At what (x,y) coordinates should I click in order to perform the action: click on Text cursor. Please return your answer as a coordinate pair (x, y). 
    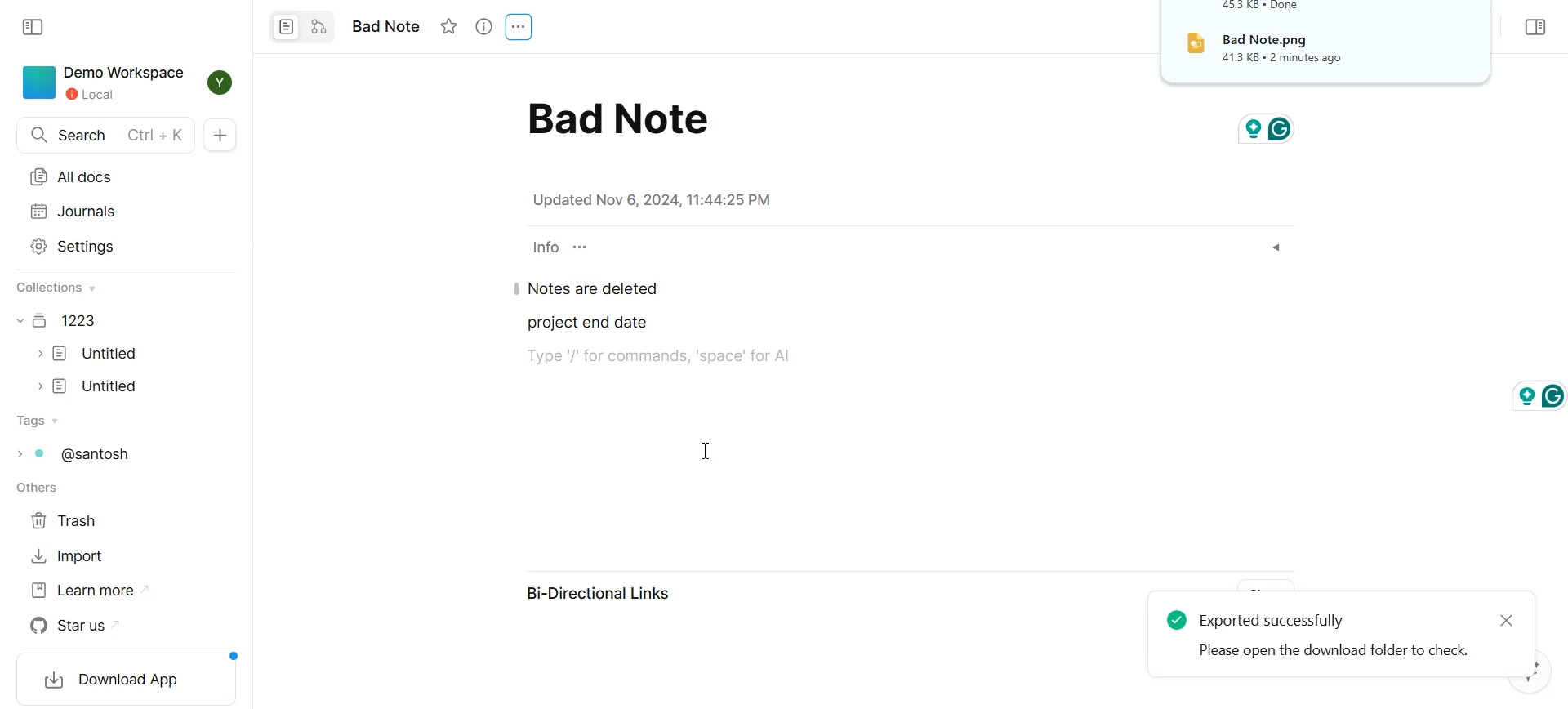
    Looking at the image, I should click on (708, 451).